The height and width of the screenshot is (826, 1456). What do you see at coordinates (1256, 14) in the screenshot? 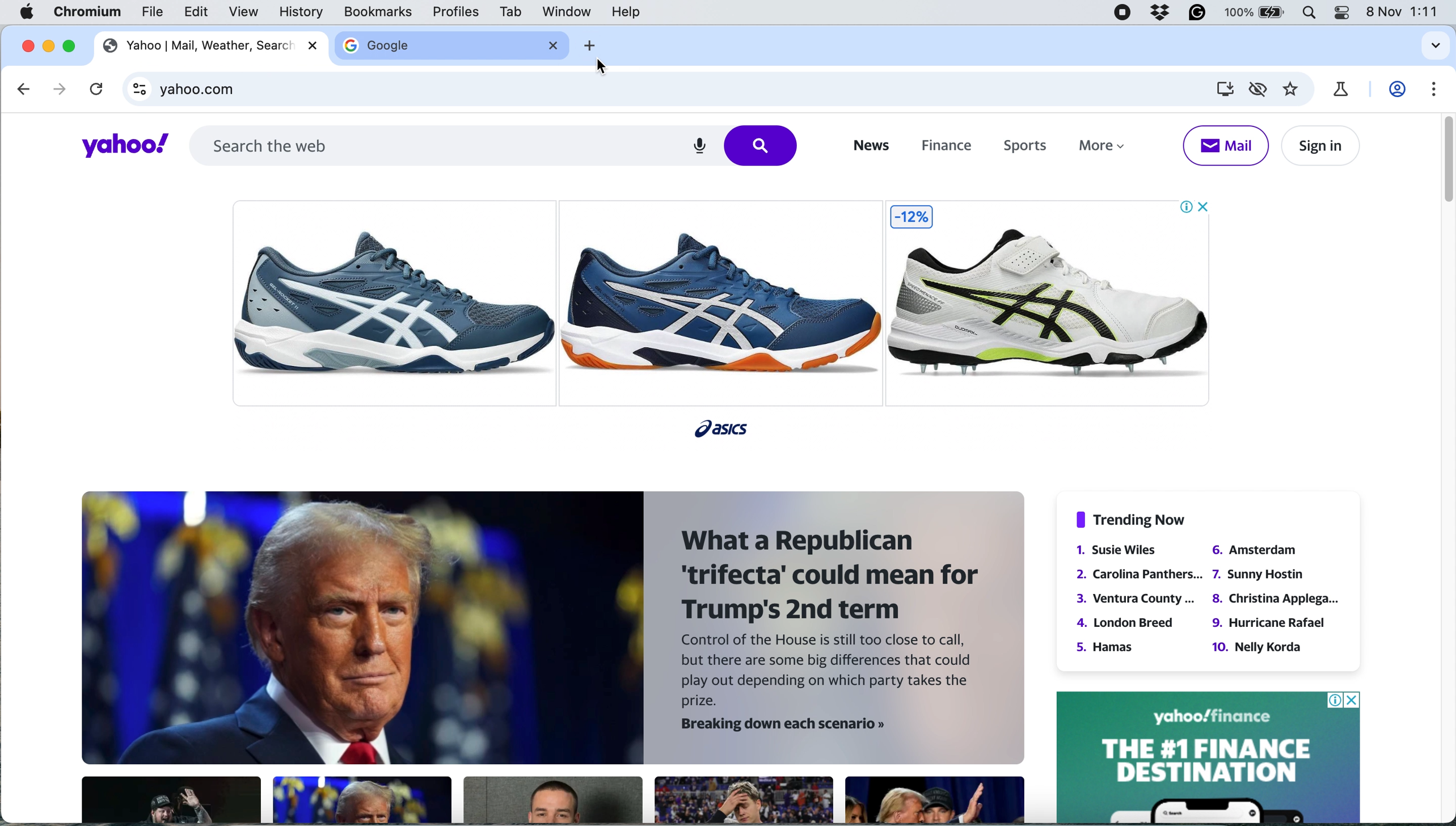
I see `battery` at bounding box center [1256, 14].